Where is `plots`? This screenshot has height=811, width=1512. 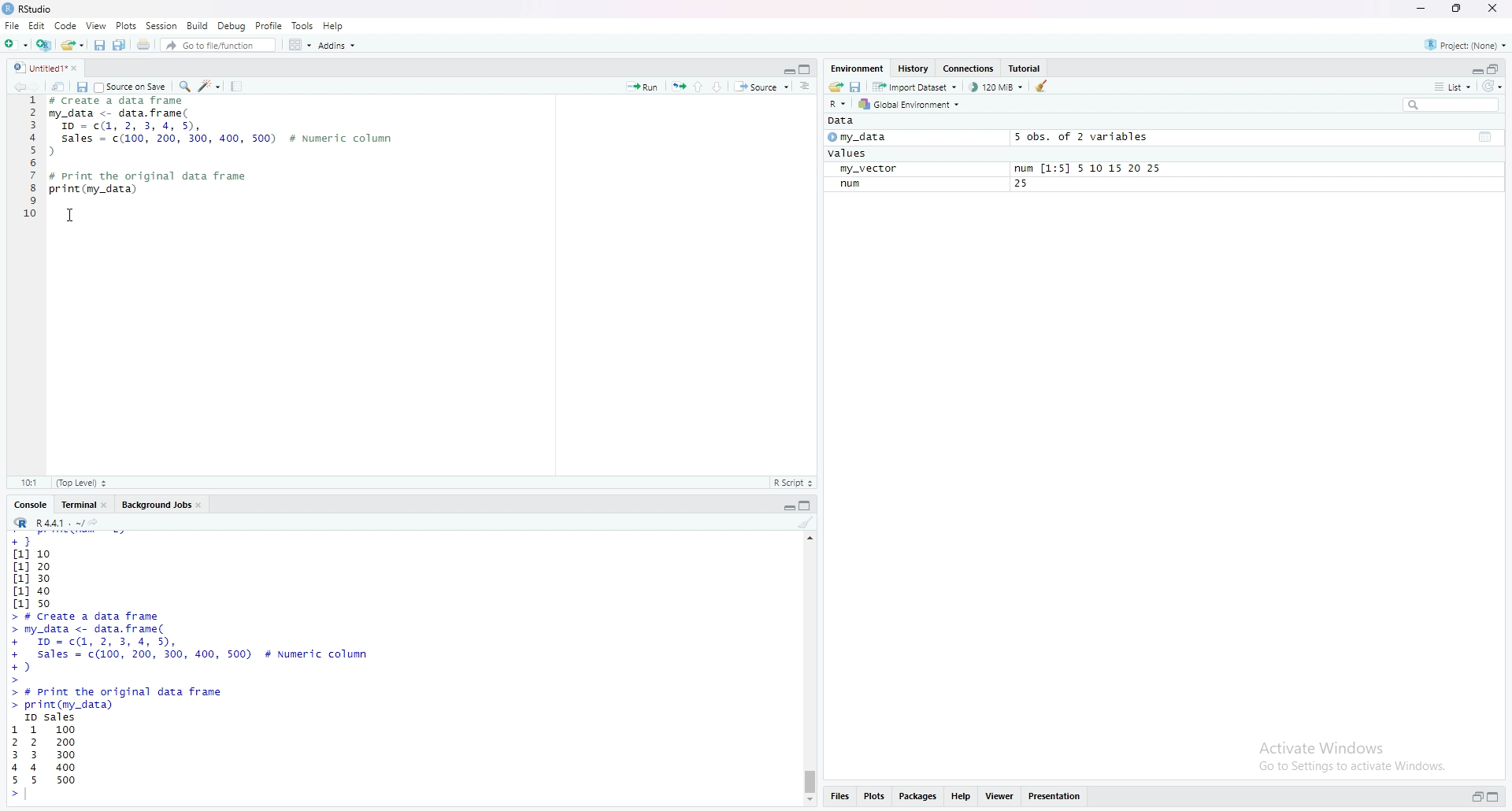
plots is located at coordinates (876, 799).